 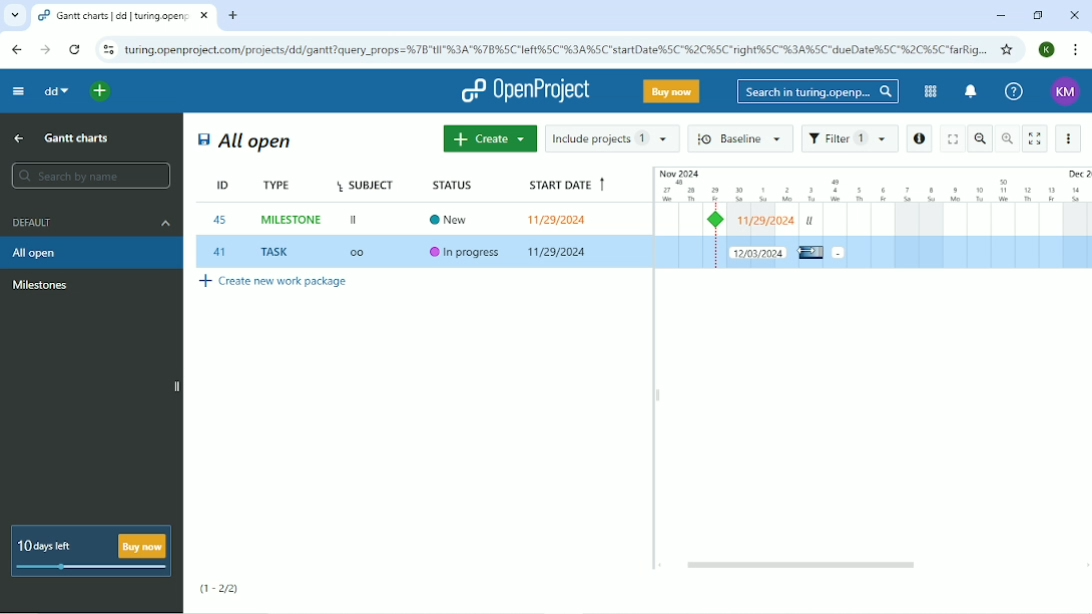 What do you see at coordinates (89, 222) in the screenshot?
I see `Default` at bounding box center [89, 222].